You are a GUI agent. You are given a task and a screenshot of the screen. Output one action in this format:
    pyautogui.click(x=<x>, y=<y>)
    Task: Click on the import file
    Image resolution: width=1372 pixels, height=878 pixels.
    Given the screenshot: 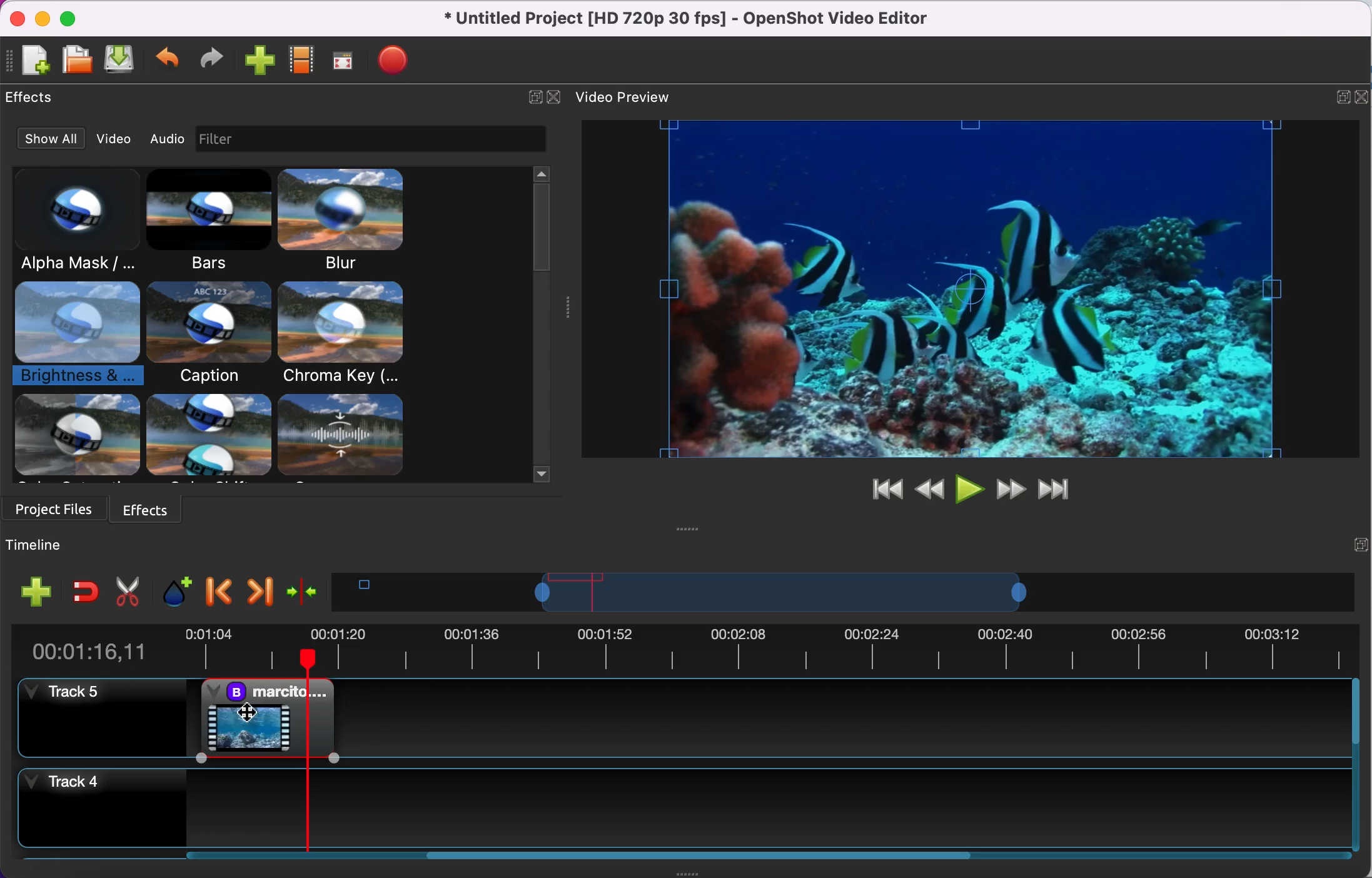 What is the action you would take?
    pyautogui.click(x=258, y=62)
    